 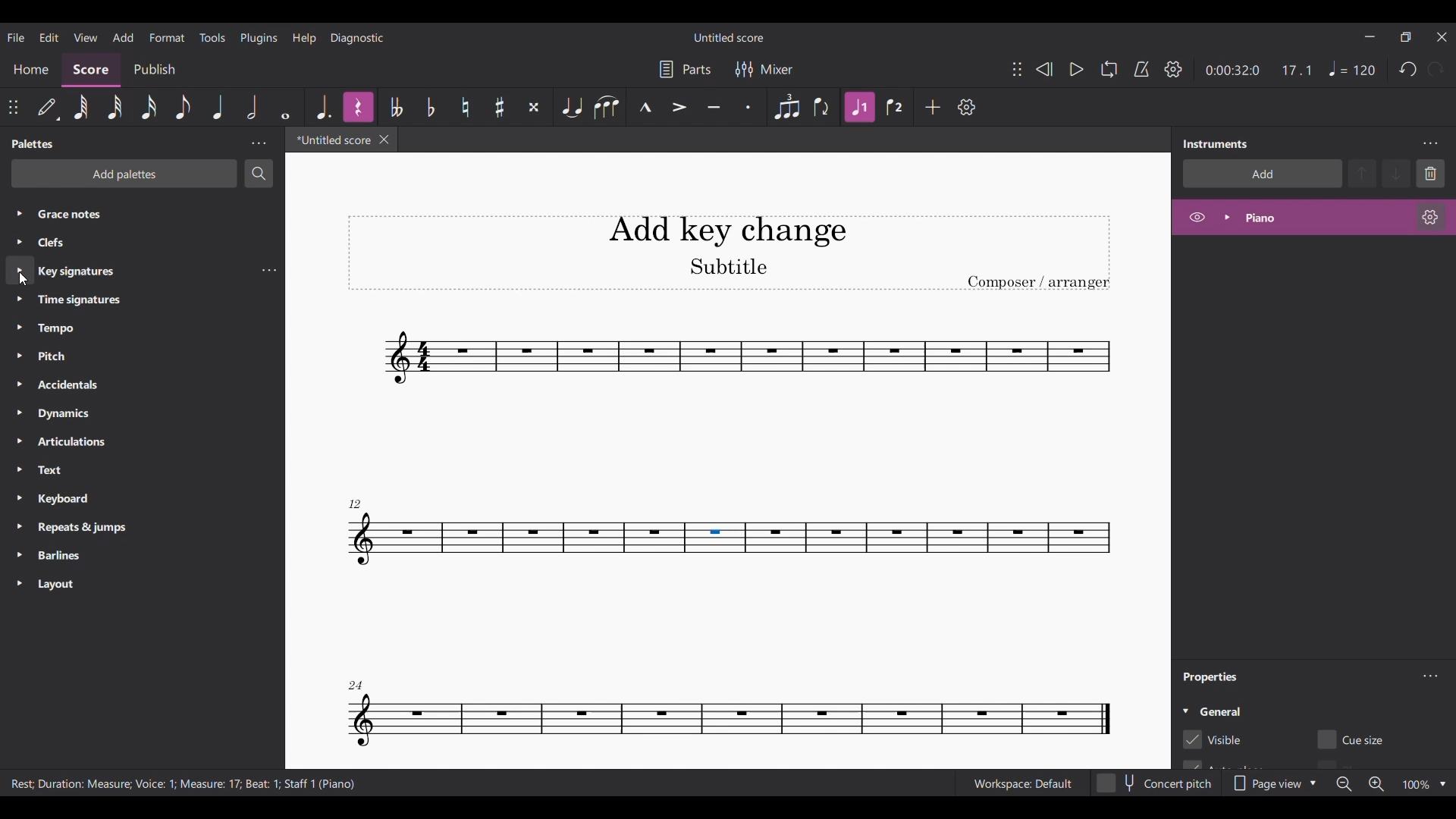 What do you see at coordinates (1352, 69) in the screenshot?
I see `Quaternate` at bounding box center [1352, 69].